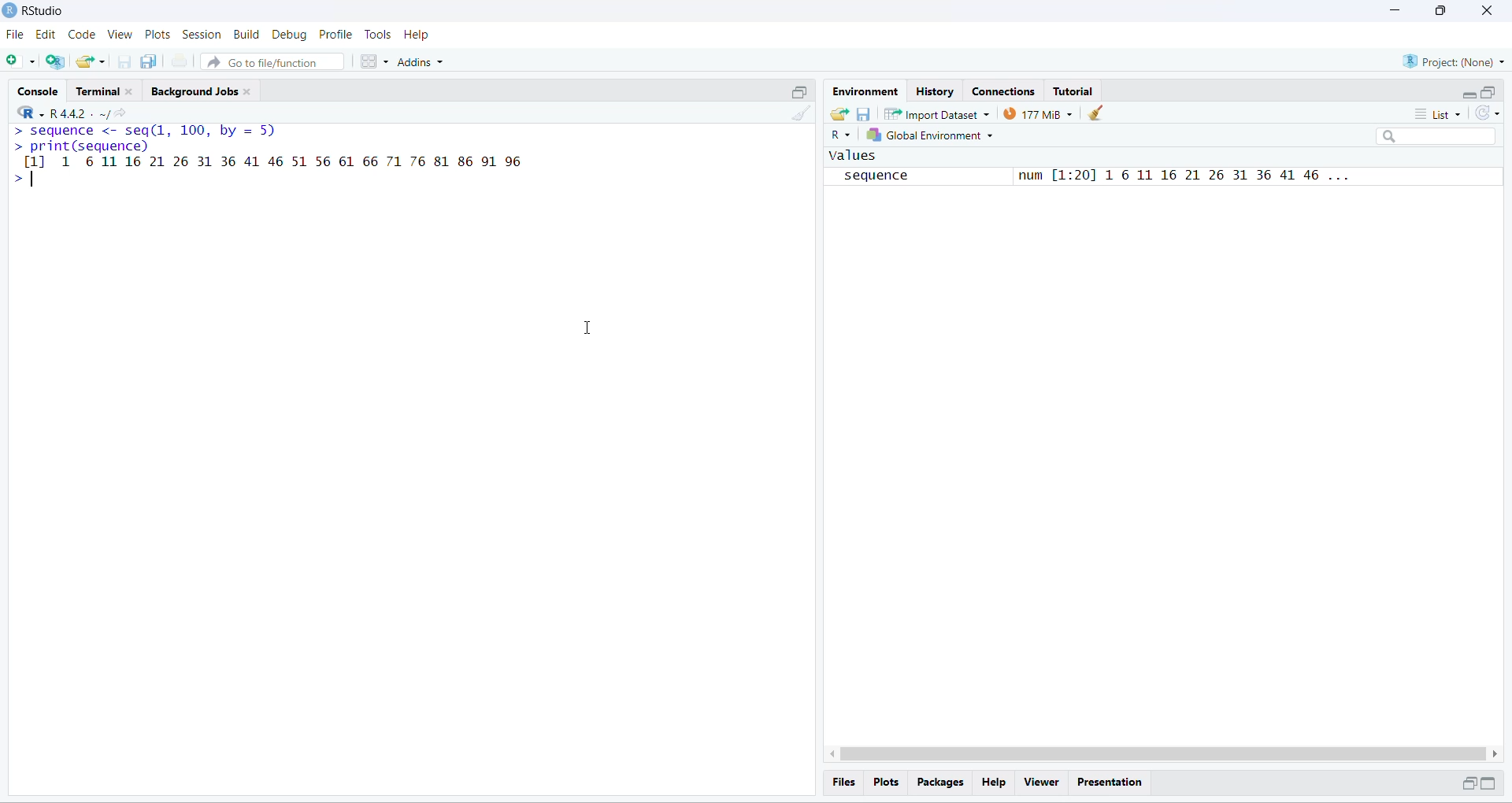 This screenshot has width=1512, height=803. What do you see at coordinates (936, 92) in the screenshot?
I see `History ` at bounding box center [936, 92].